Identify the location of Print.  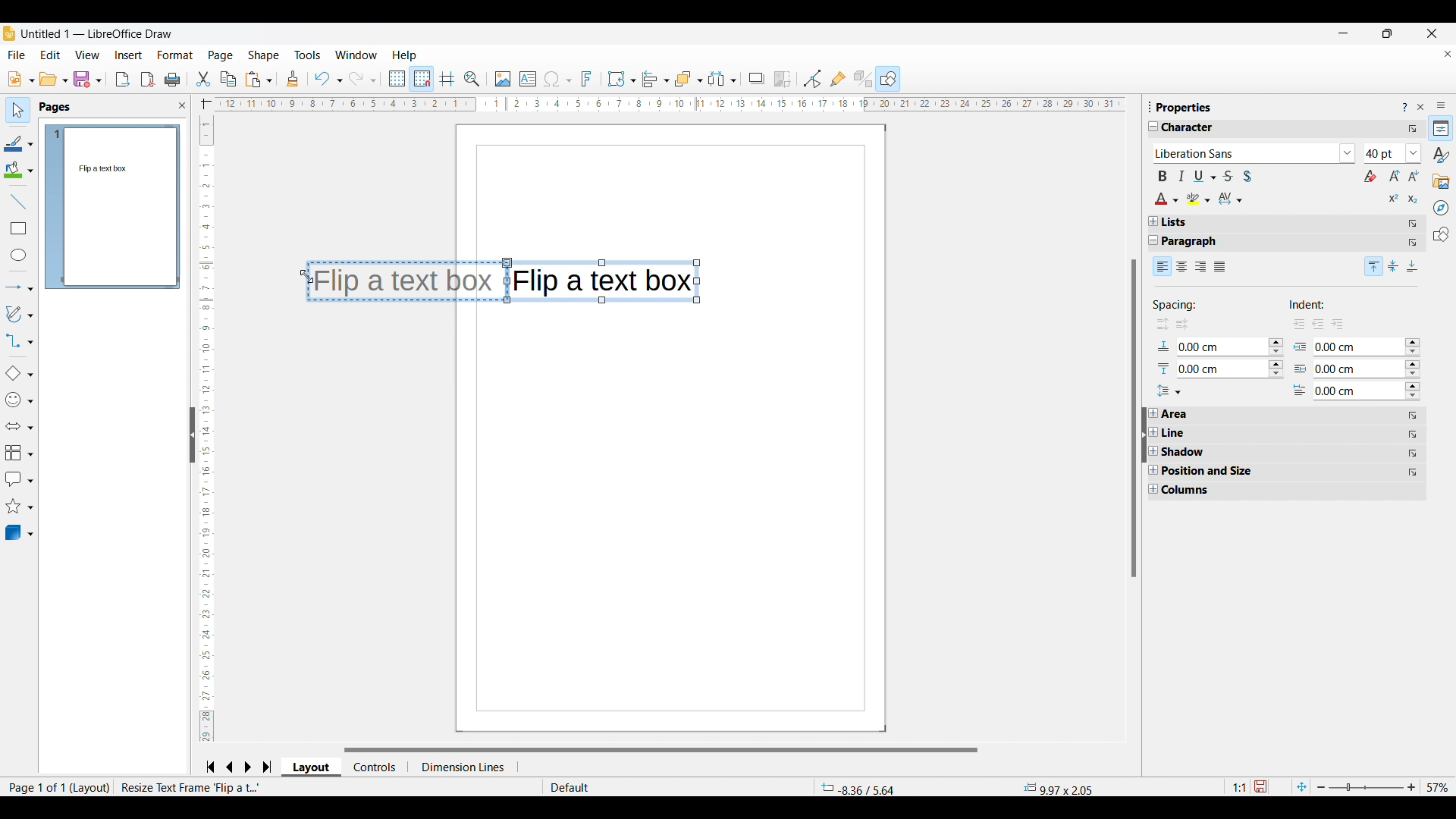
(173, 80).